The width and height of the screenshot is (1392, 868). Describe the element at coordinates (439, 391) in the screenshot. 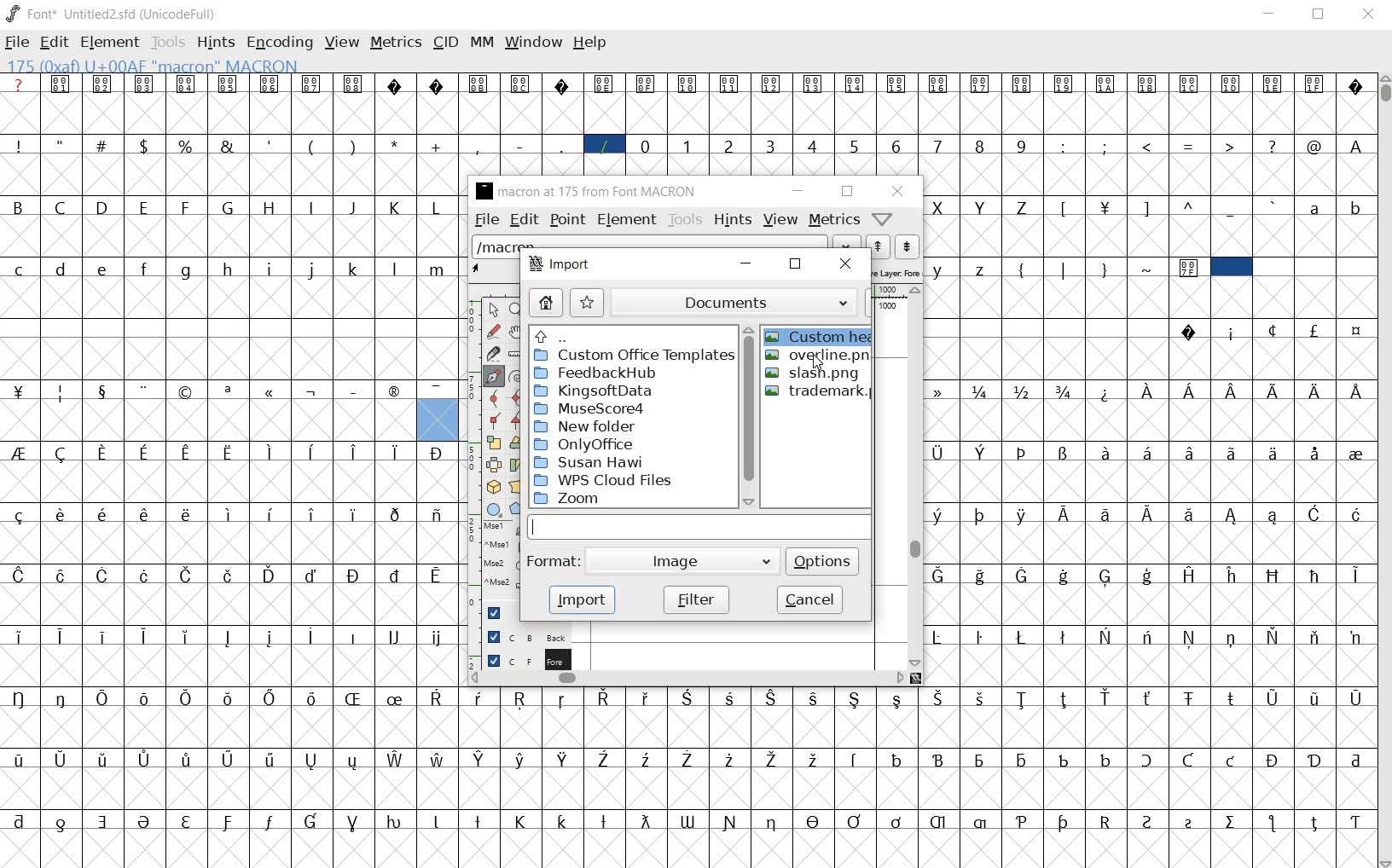

I see `Symbol` at that location.